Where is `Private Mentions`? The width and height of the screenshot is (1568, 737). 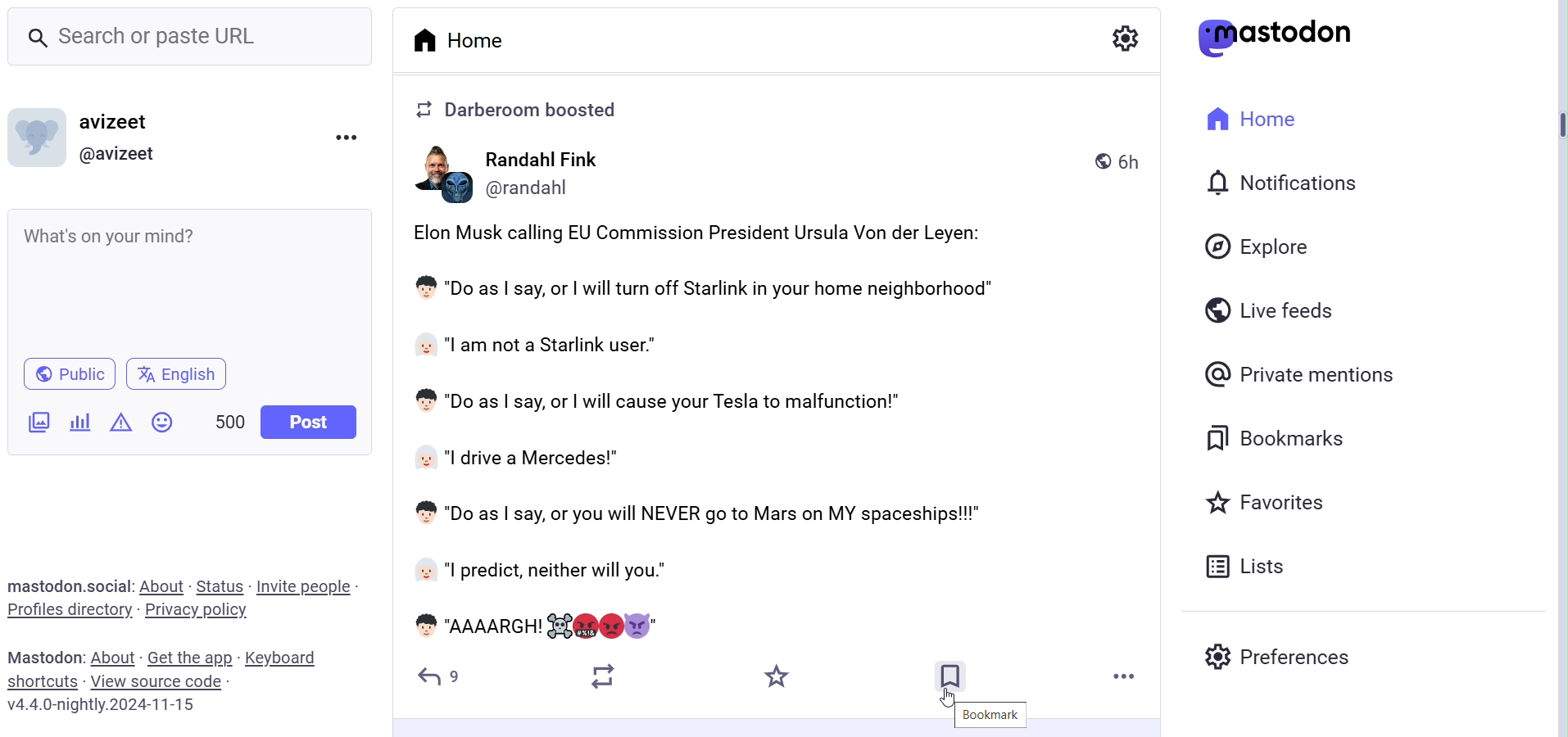 Private Mentions is located at coordinates (1298, 373).